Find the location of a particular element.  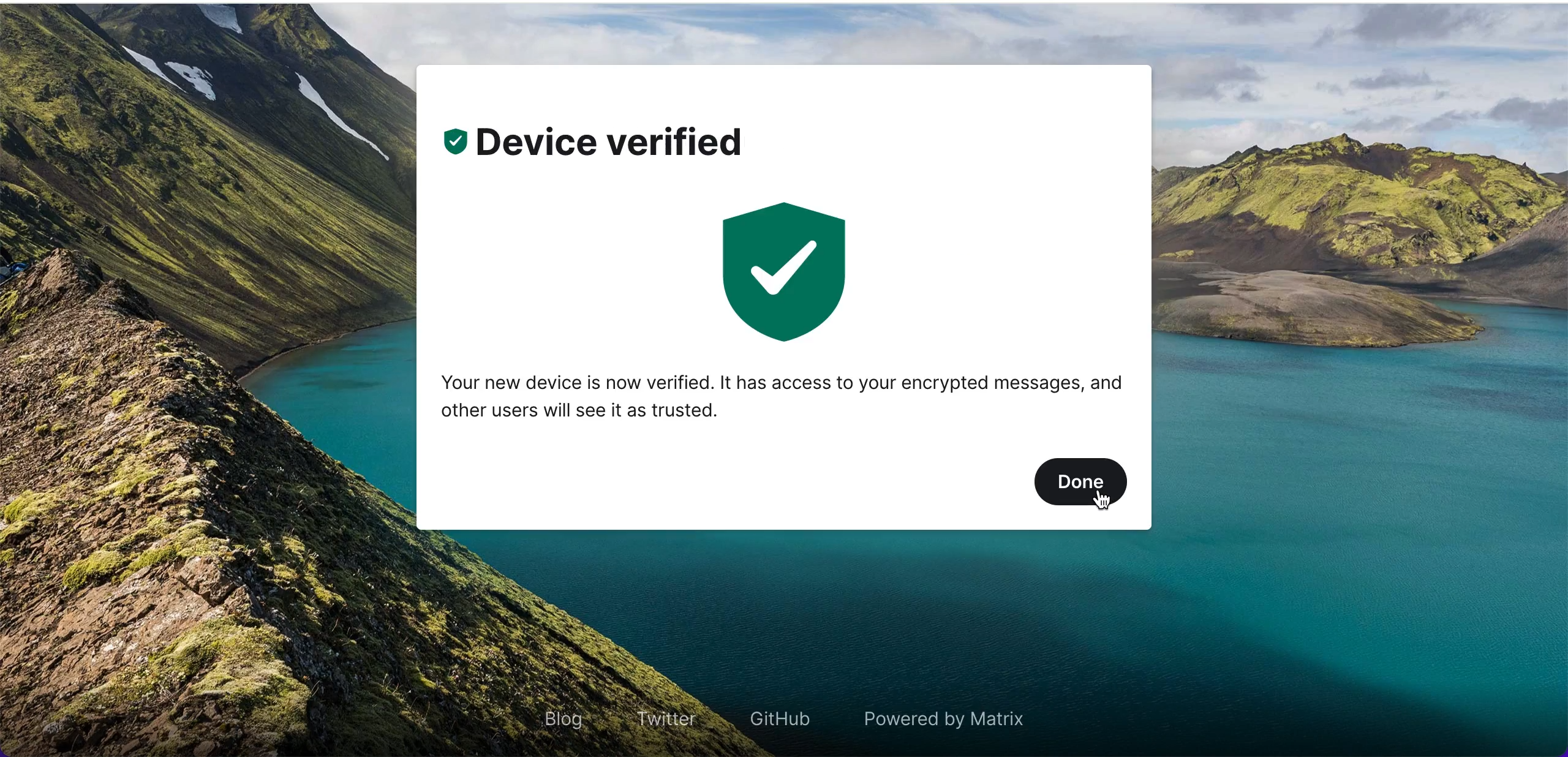

powered by matrix is located at coordinates (939, 717).